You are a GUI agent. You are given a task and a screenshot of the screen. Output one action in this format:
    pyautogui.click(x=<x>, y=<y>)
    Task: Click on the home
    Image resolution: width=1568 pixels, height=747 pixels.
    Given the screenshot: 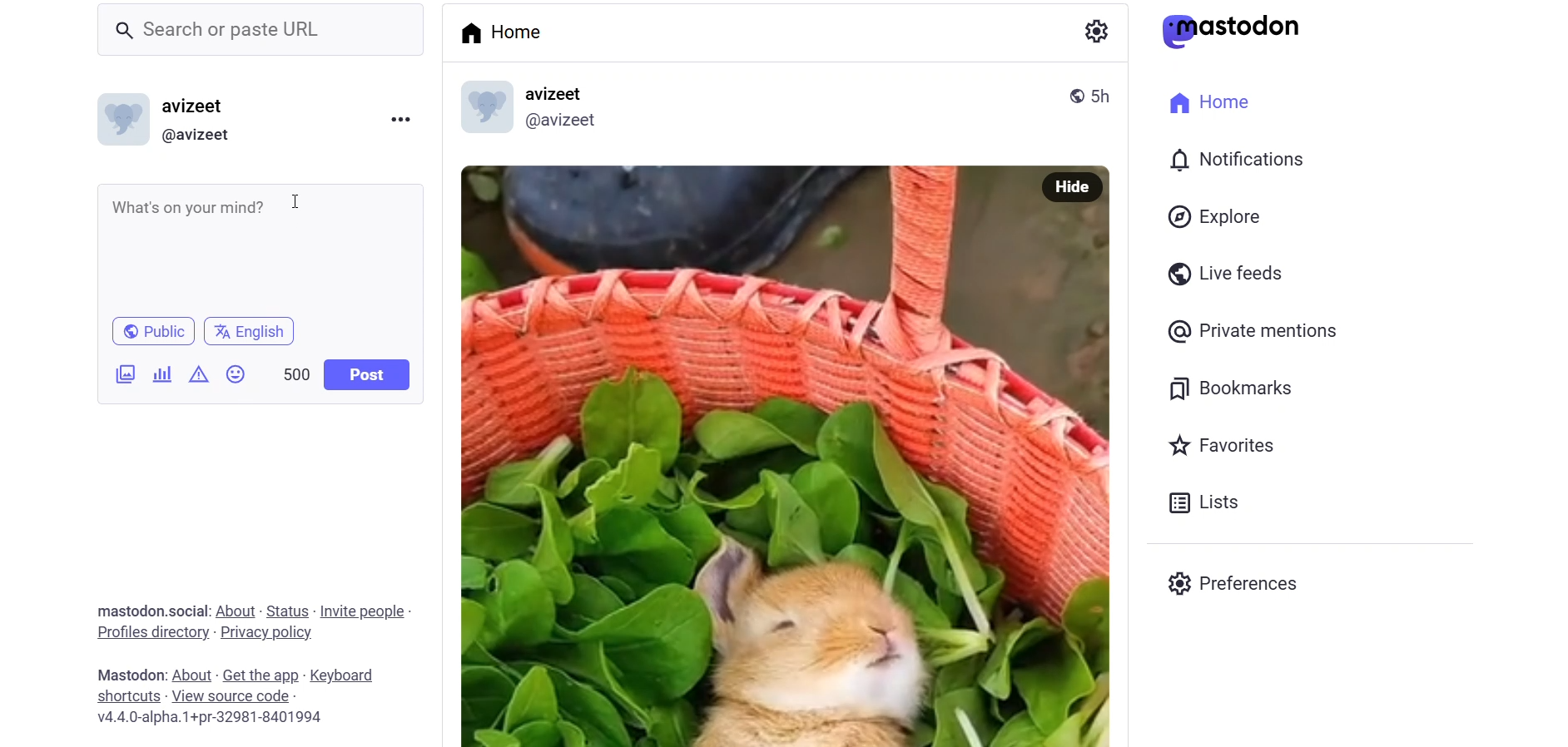 What is the action you would take?
    pyautogui.click(x=499, y=30)
    